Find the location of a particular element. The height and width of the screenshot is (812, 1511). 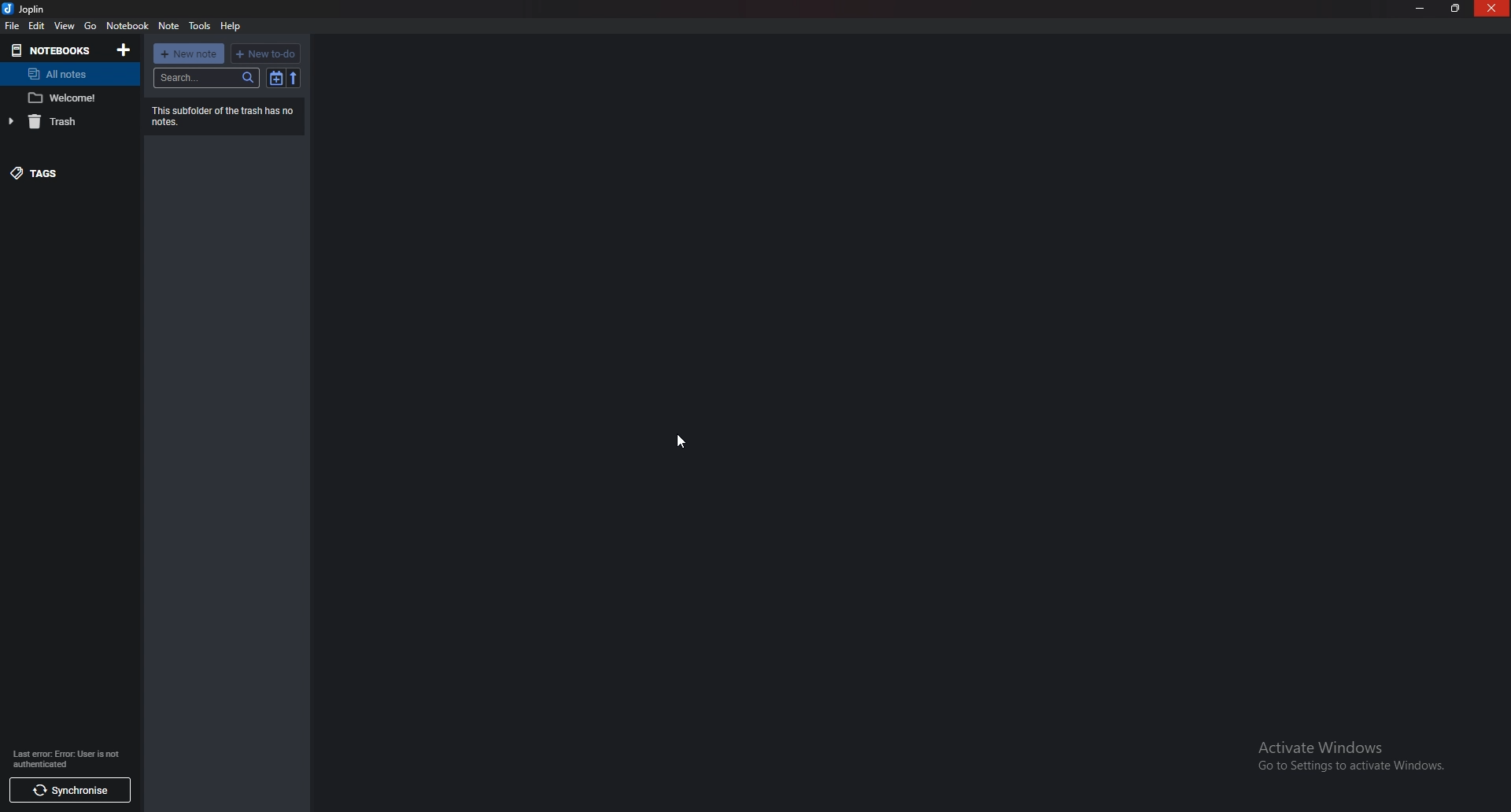

note is located at coordinates (66, 98).